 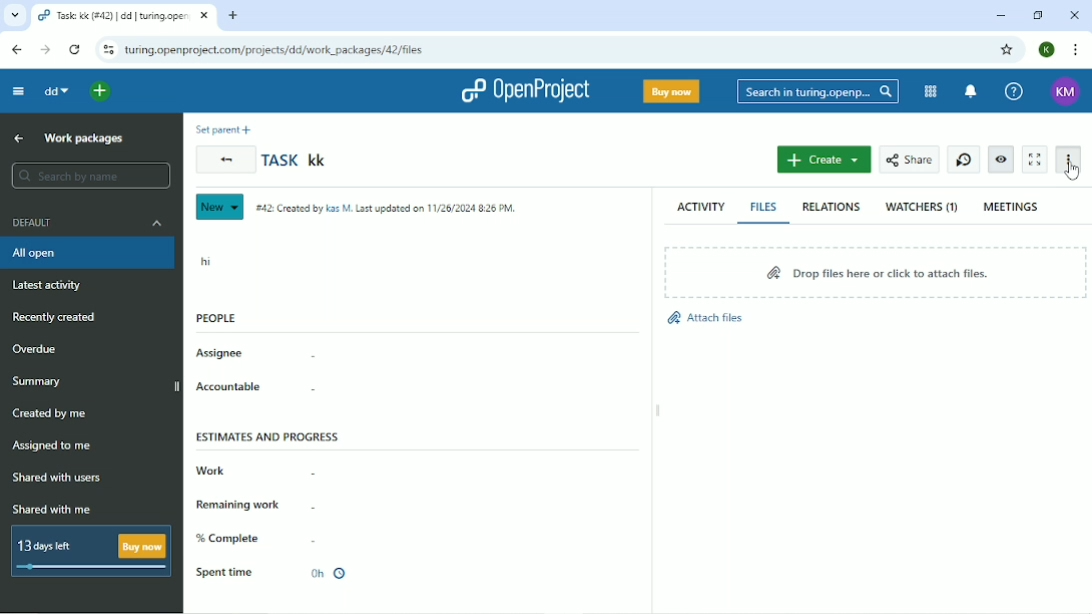 I want to click on #42: Created by Kas M. Last updated on 11/26/2024 8:26 PM., so click(x=386, y=208).